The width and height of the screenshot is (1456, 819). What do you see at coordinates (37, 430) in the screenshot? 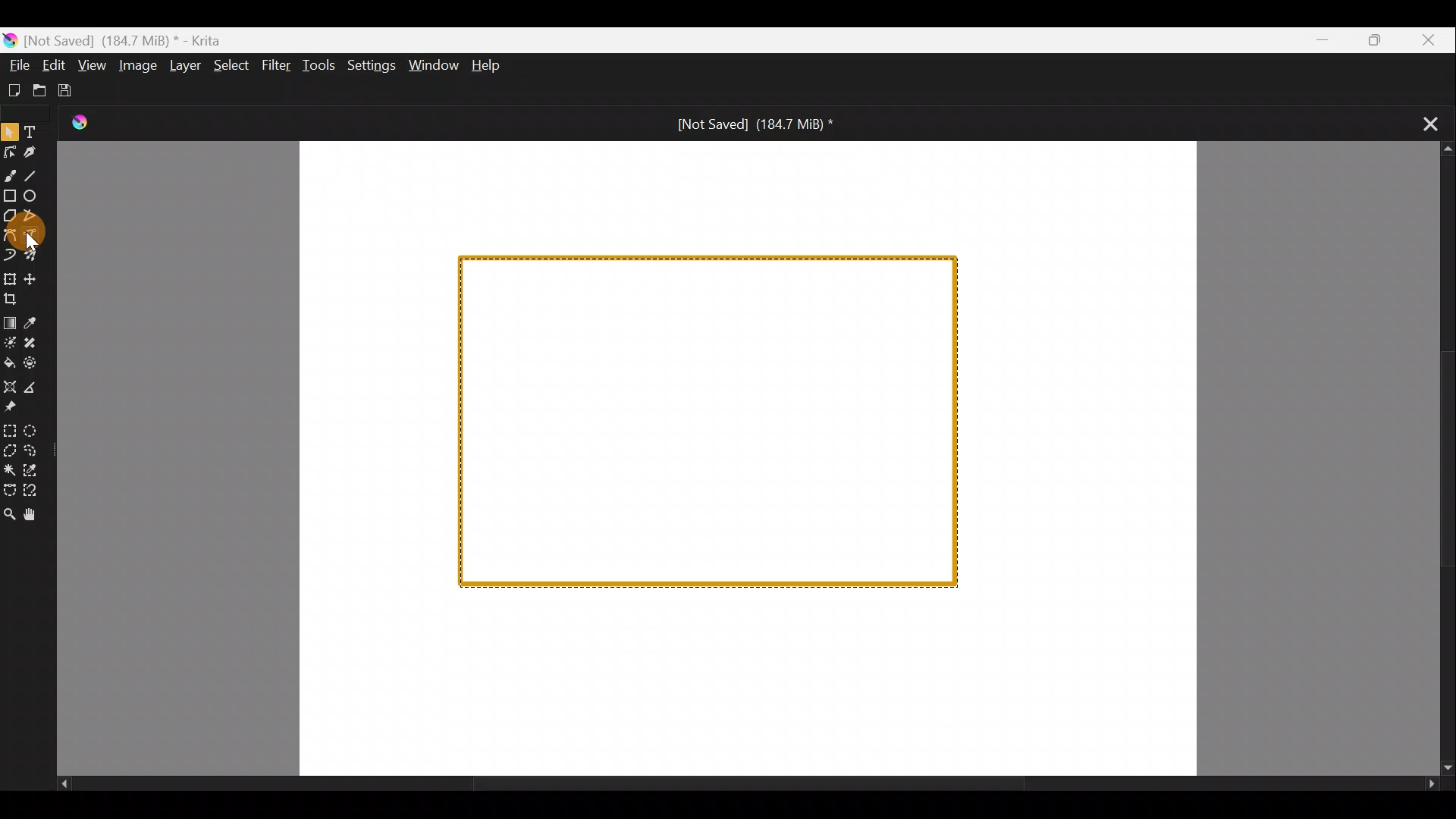
I see `Elliptical selection tool` at bounding box center [37, 430].